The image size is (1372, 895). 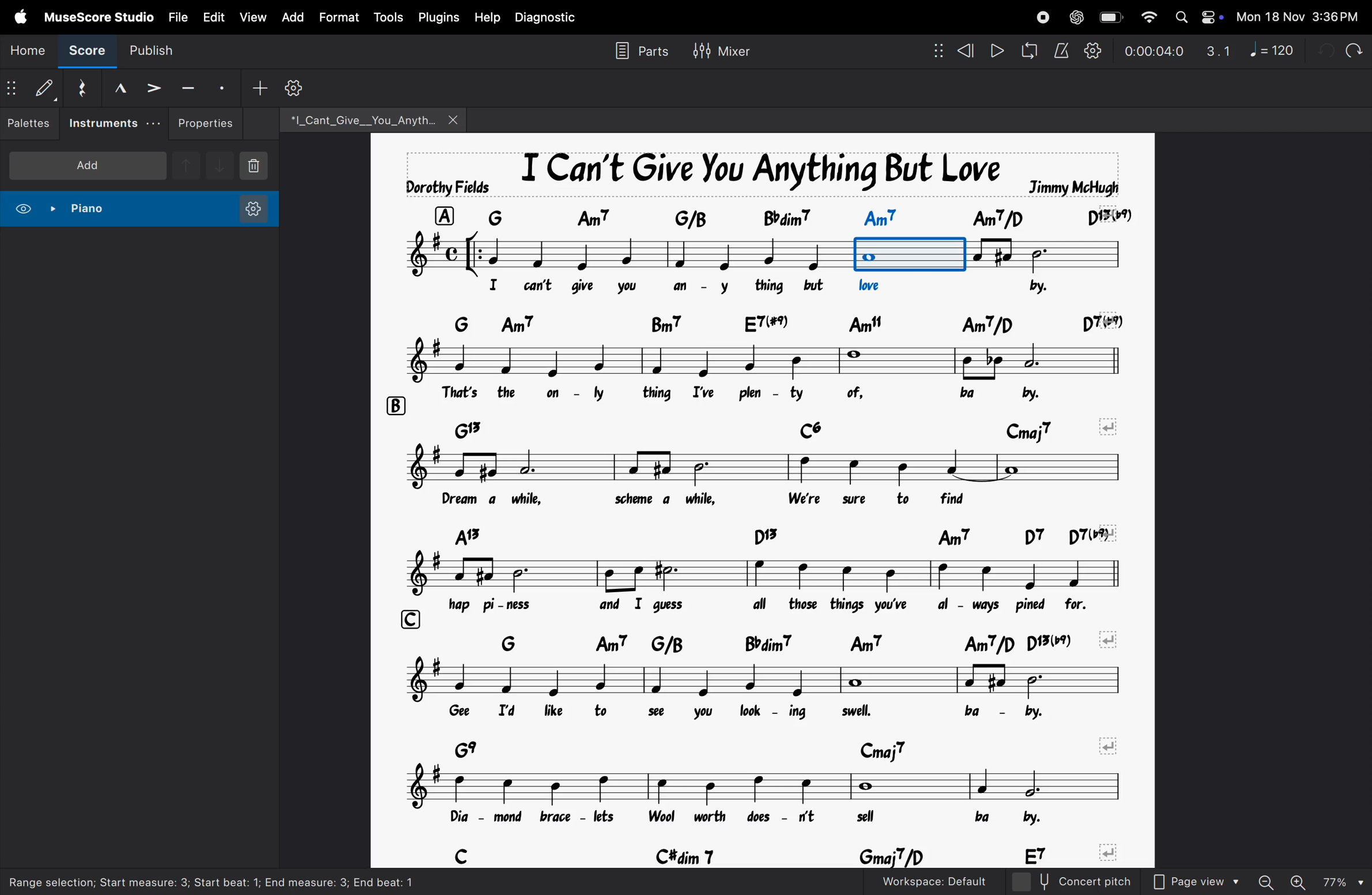 What do you see at coordinates (84, 88) in the screenshot?
I see `reset` at bounding box center [84, 88].